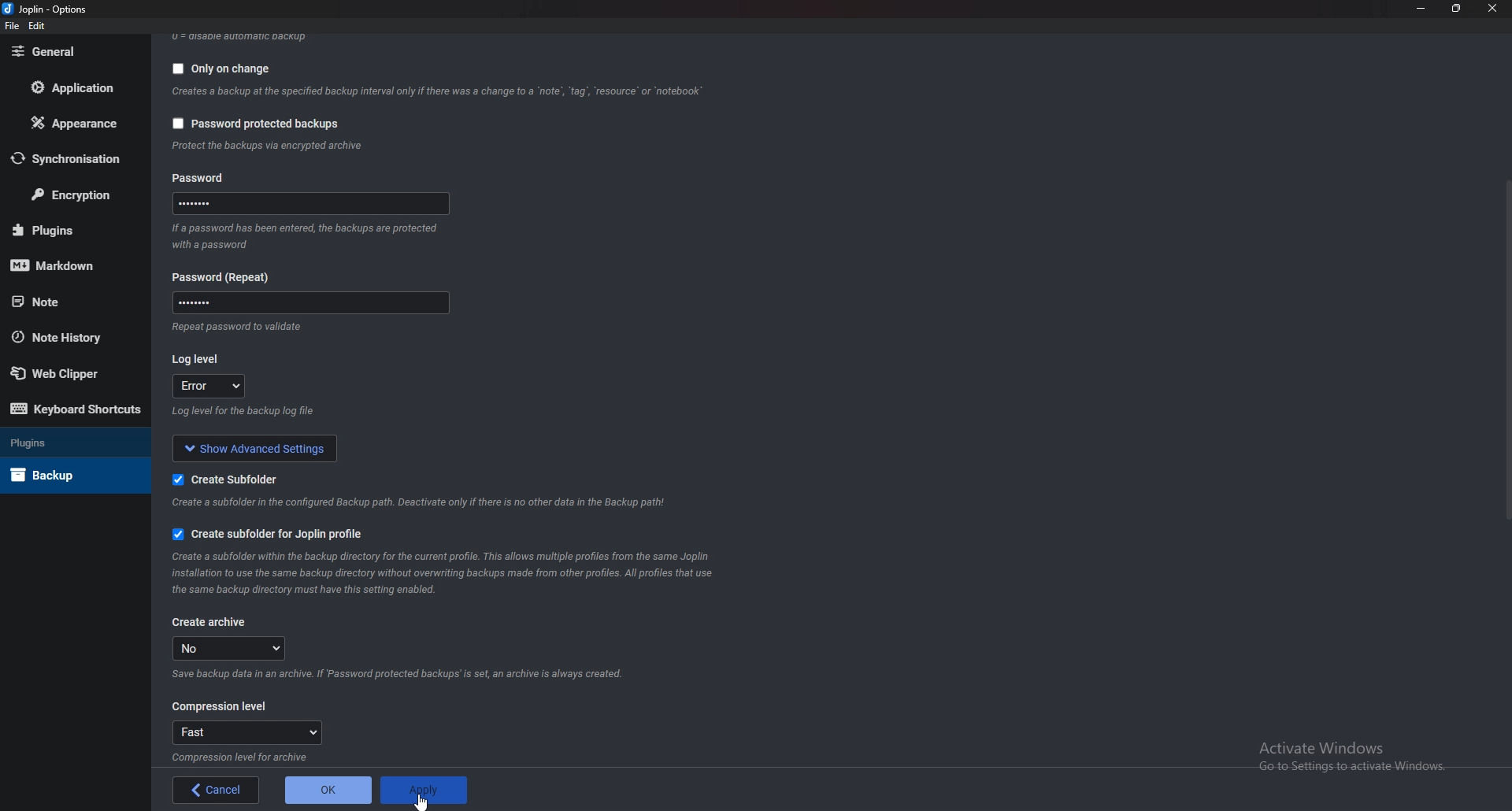 This screenshot has width=1512, height=811. I want to click on Encryption, so click(77, 194).